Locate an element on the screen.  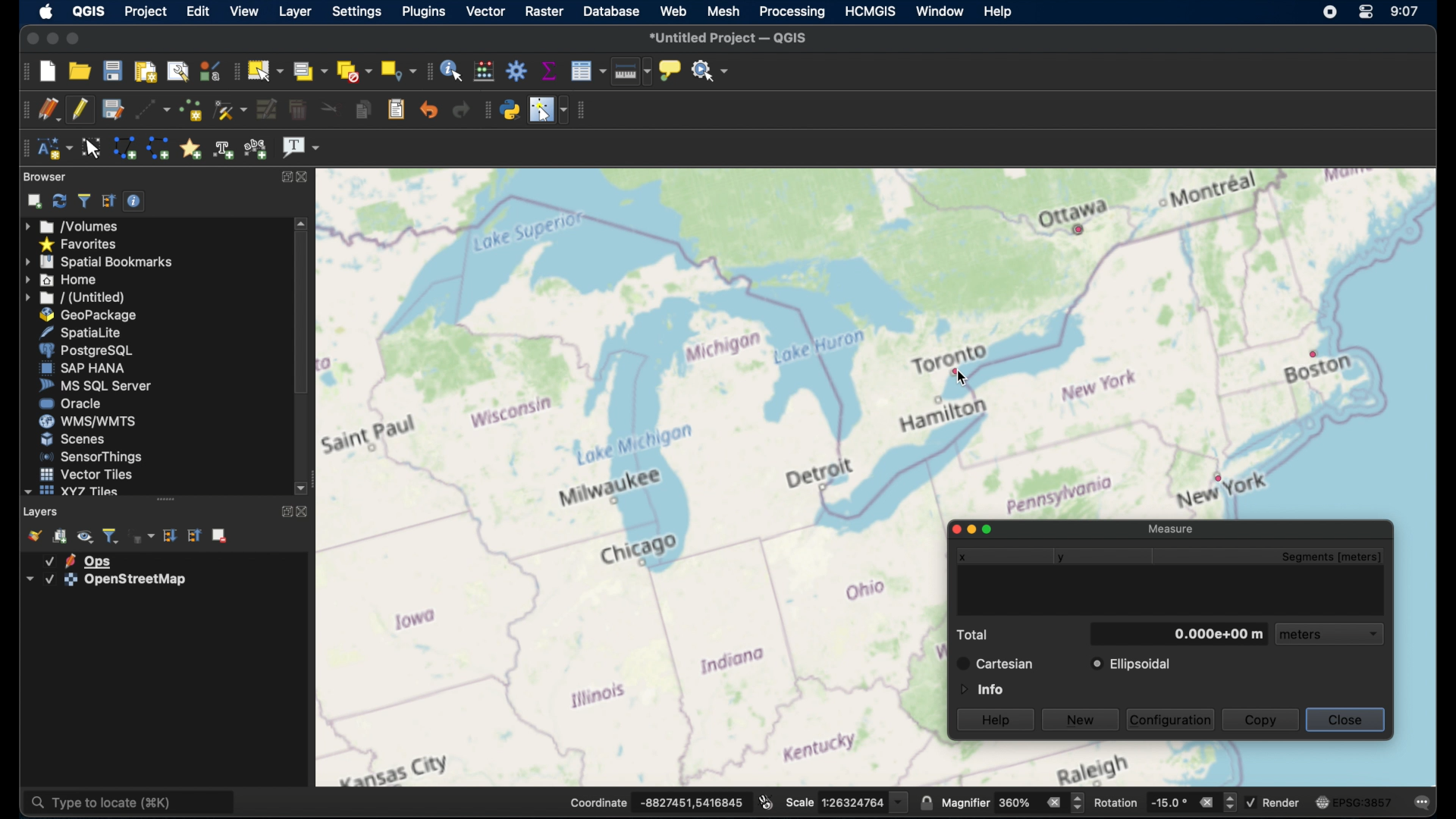
open street map is located at coordinates (1250, 195).